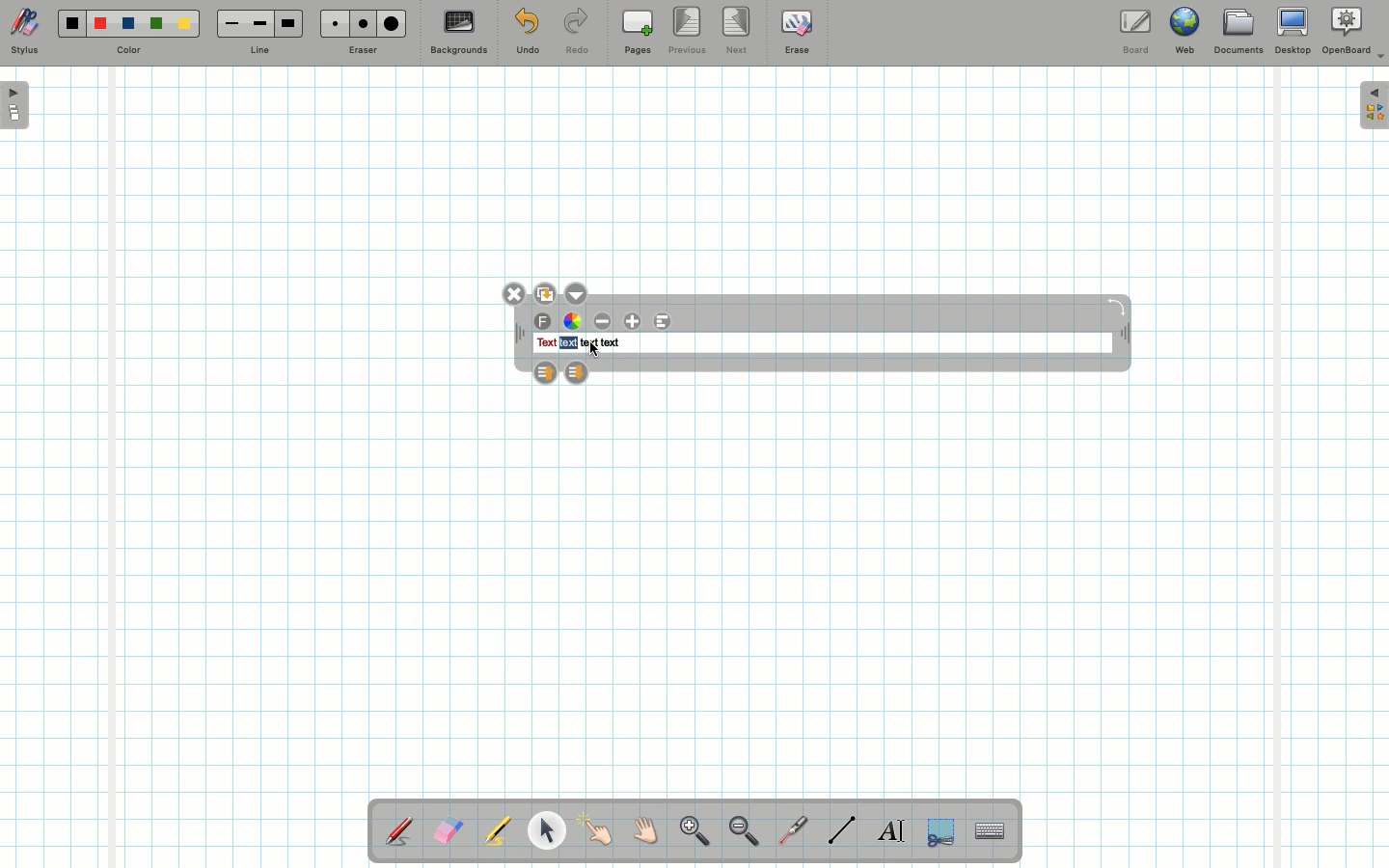 The width and height of the screenshot is (1389, 868). What do you see at coordinates (576, 291) in the screenshot?
I see `Options` at bounding box center [576, 291].